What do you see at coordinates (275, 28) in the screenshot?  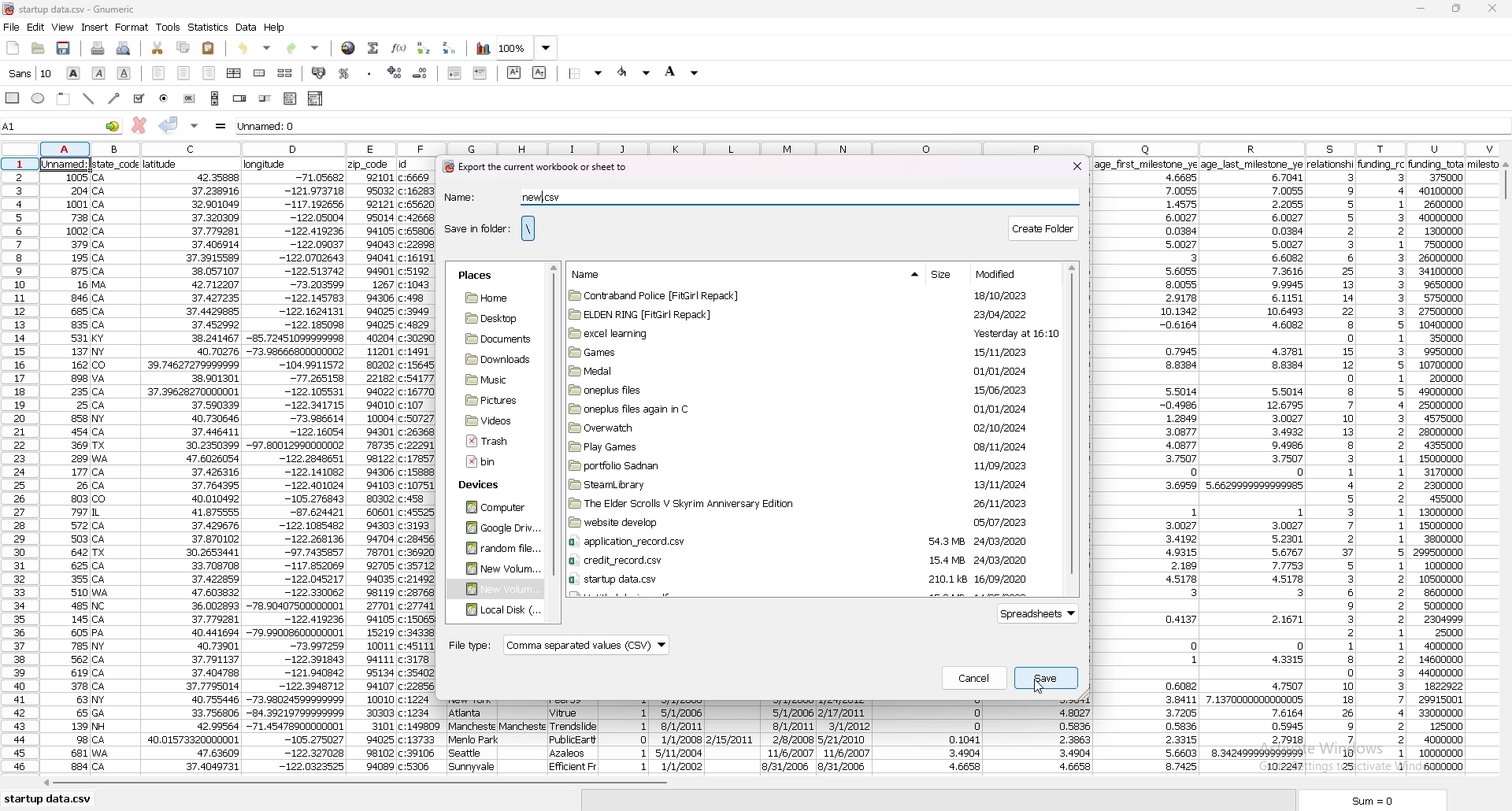 I see `help` at bounding box center [275, 28].